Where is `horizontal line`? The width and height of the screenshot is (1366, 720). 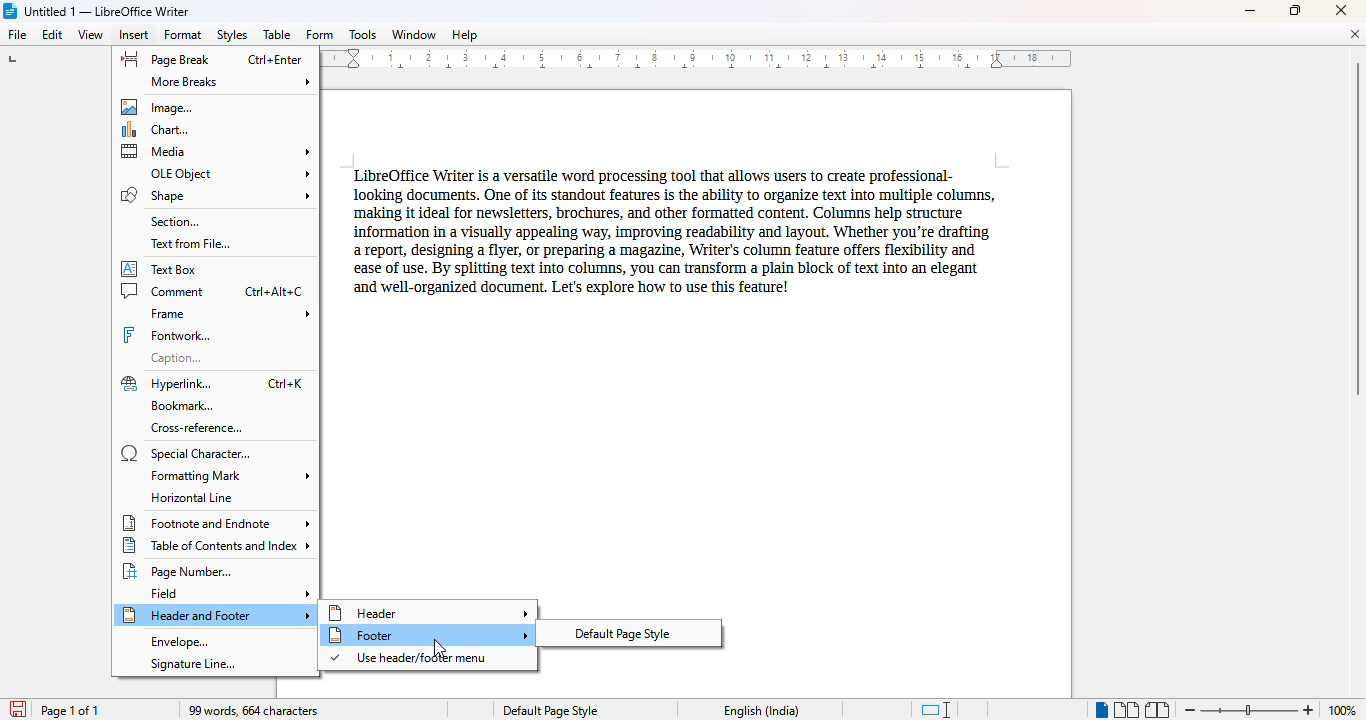 horizontal line is located at coordinates (193, 497).